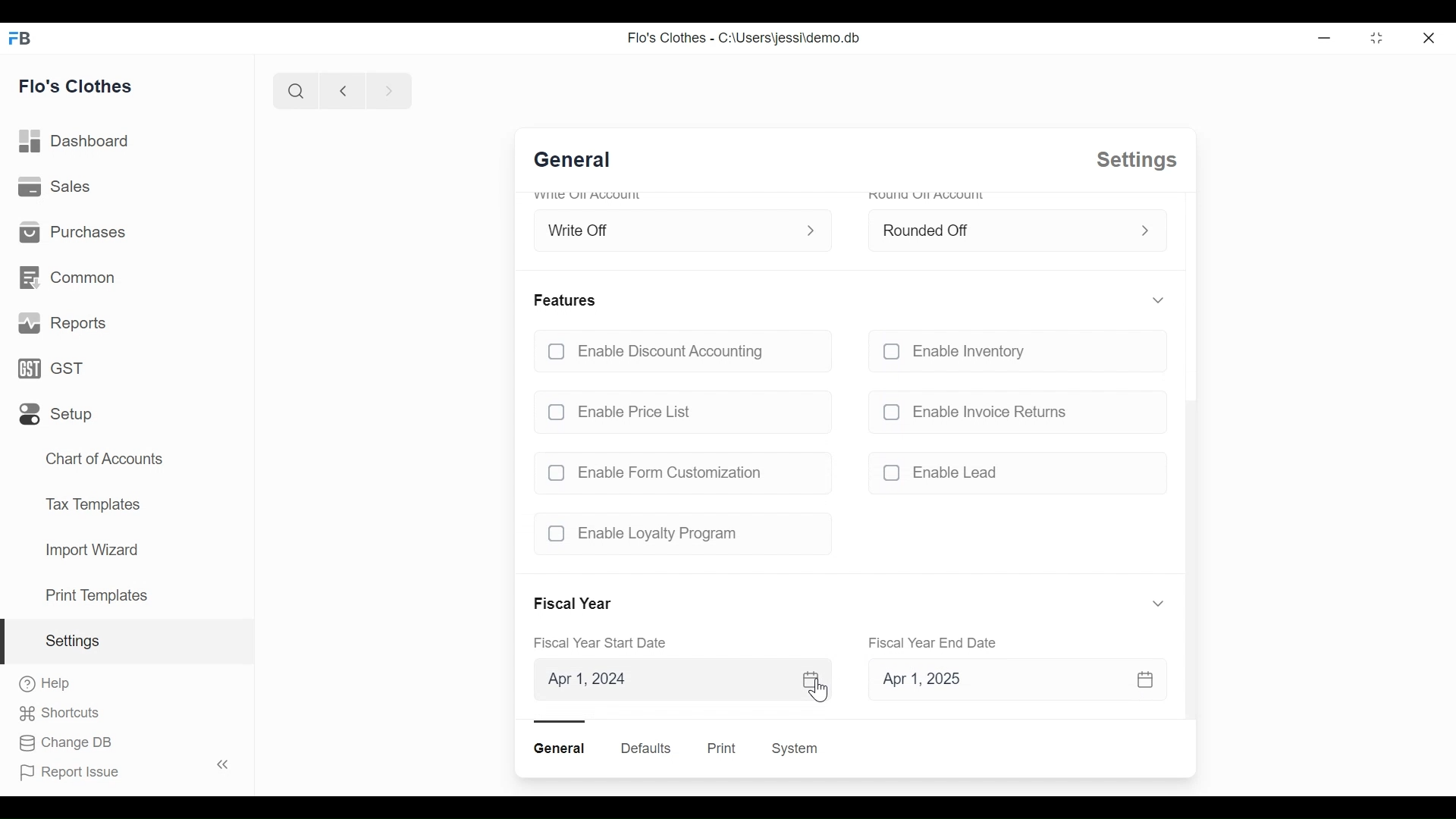  What do you see at coordinates (58, 414) in the screenshot?
I see `Setup` at bounding box center [58, 414].